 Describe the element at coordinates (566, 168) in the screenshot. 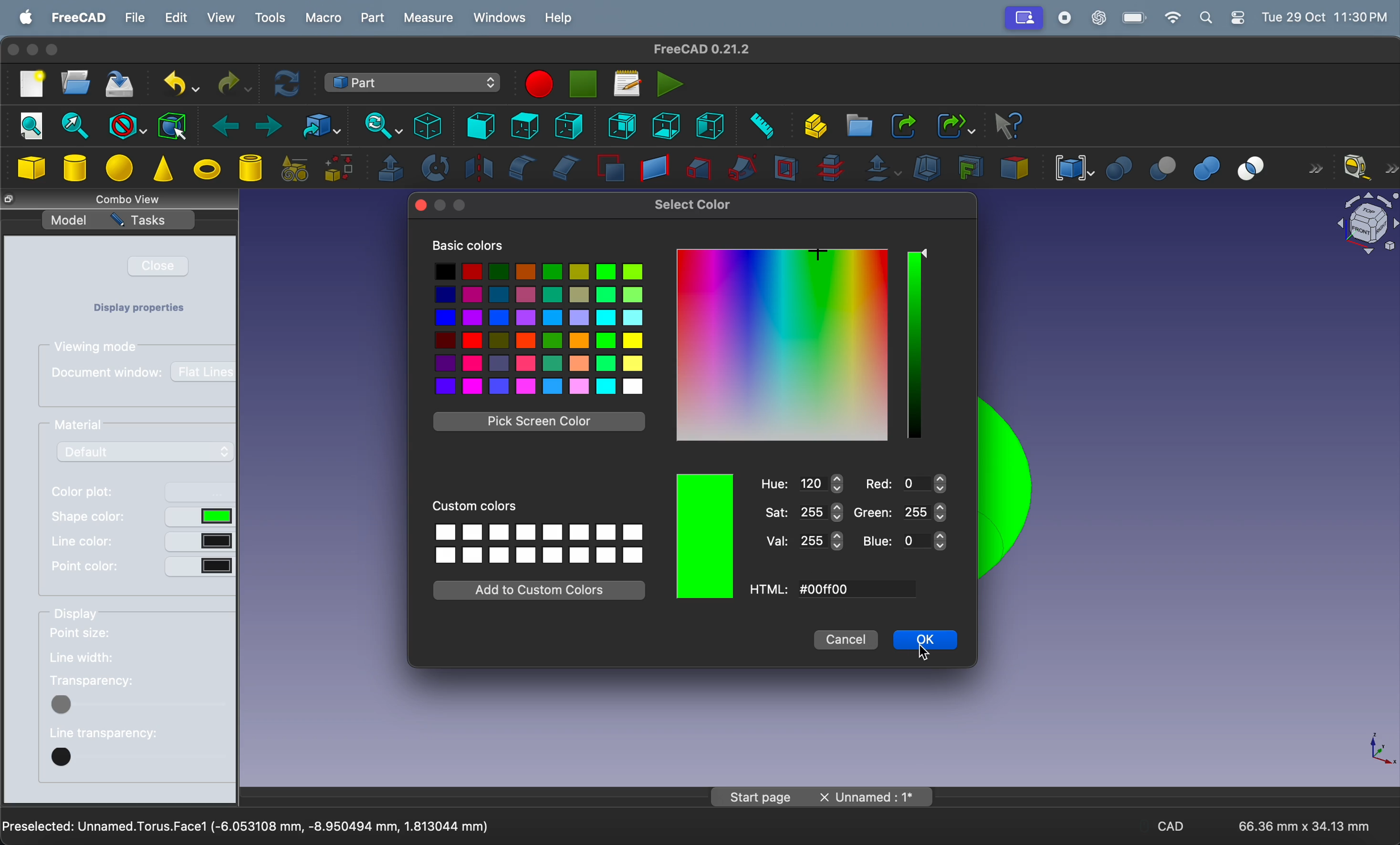

I see `chamfer` at that location.